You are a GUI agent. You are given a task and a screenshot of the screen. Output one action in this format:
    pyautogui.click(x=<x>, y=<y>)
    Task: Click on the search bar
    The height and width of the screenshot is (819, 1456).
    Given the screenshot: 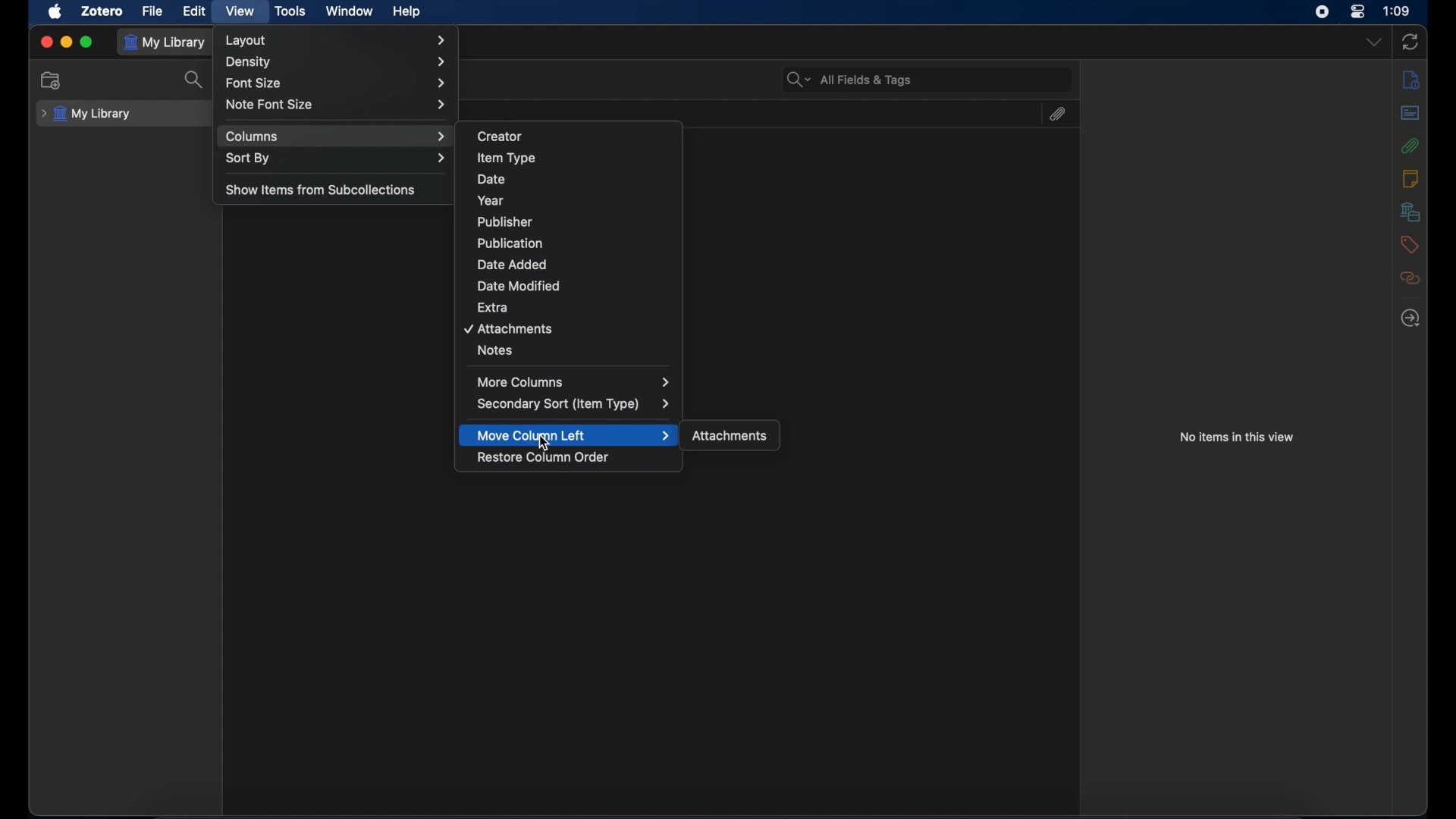 What is the action you would take?
    pyautogui.click(x=849, y=78)
    